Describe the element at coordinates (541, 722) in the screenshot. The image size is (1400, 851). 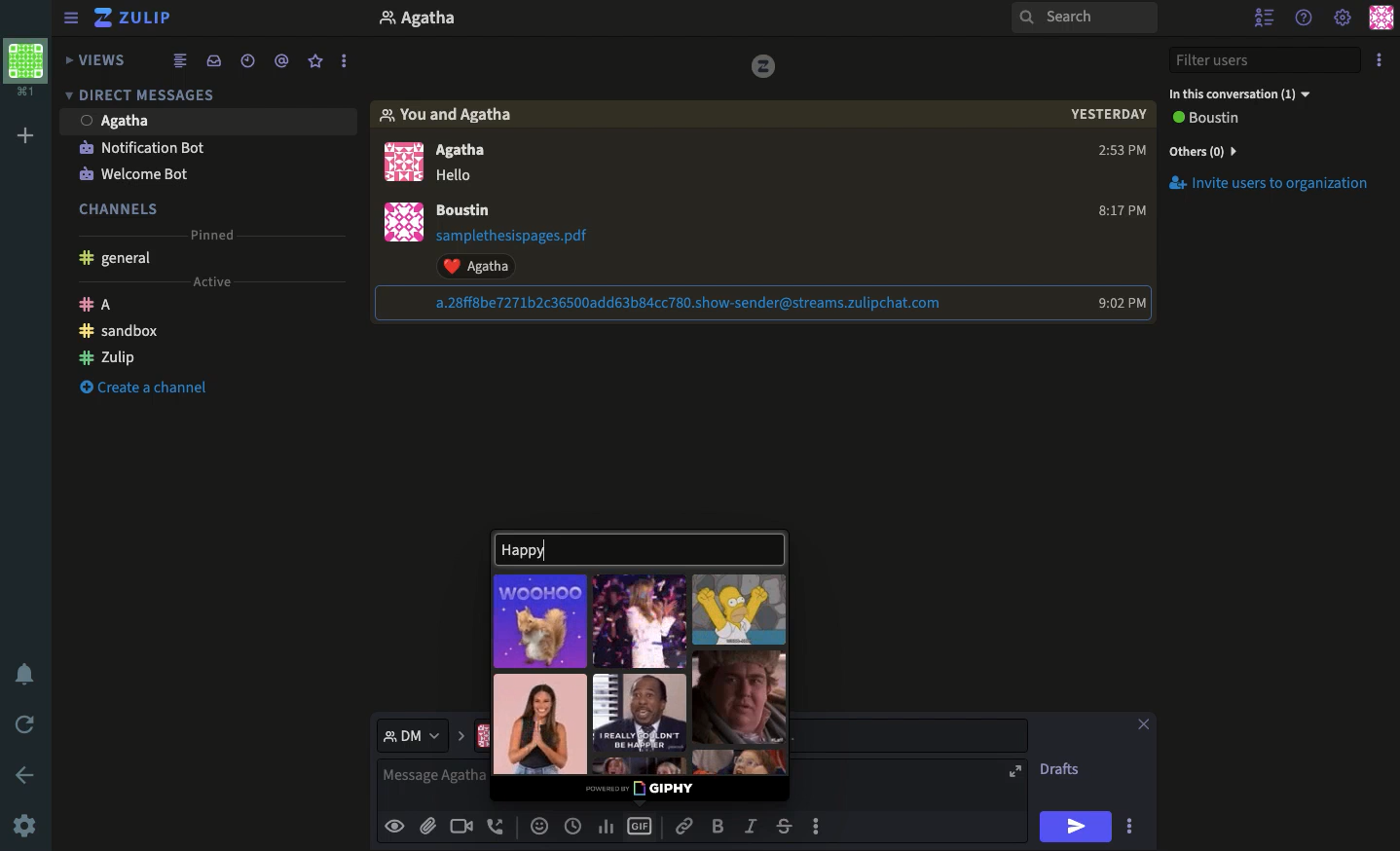
I see `GIF` at that location.